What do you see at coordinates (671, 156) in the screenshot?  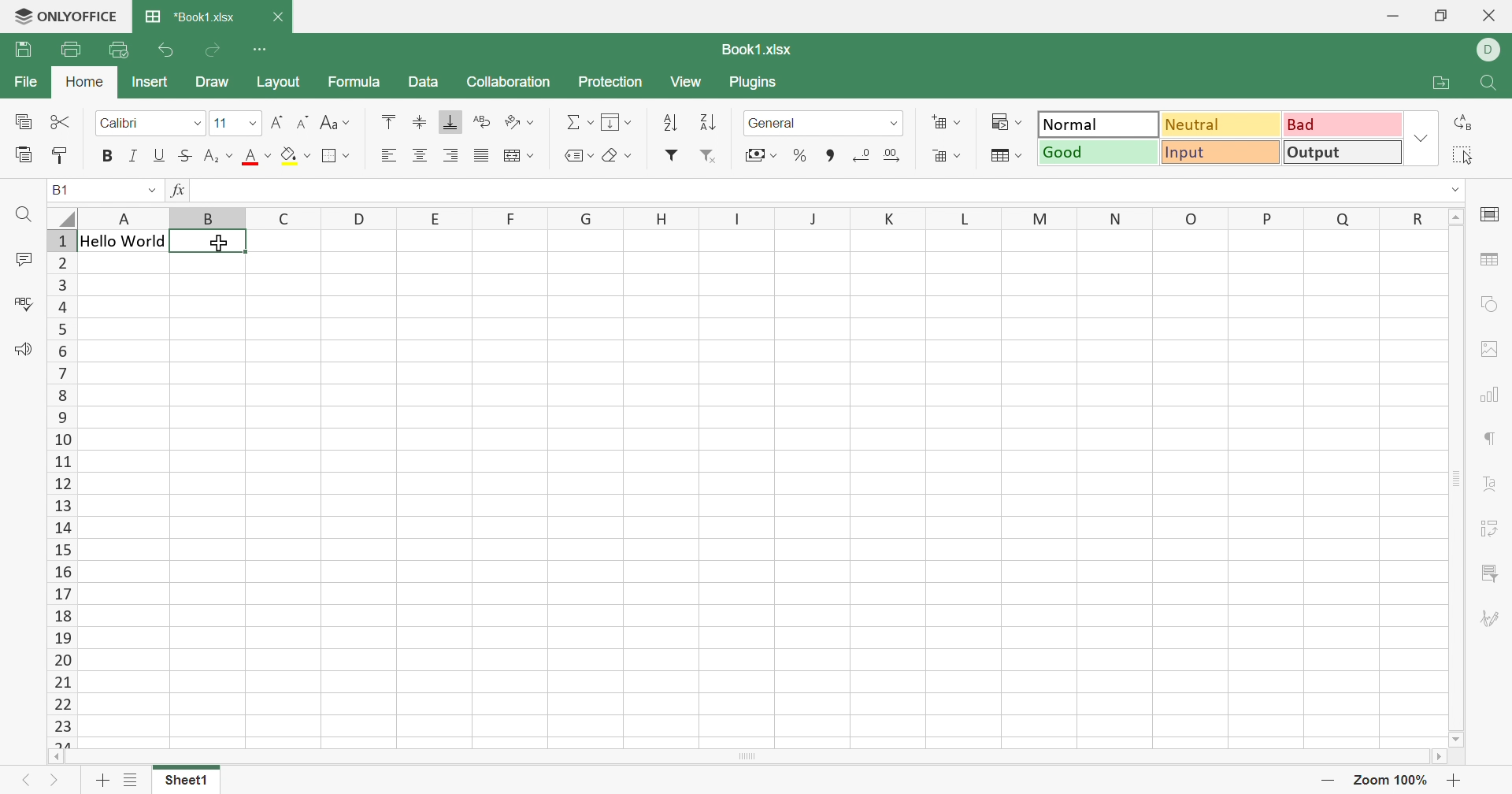 I see `Filter` at bounding box center [671, 156].